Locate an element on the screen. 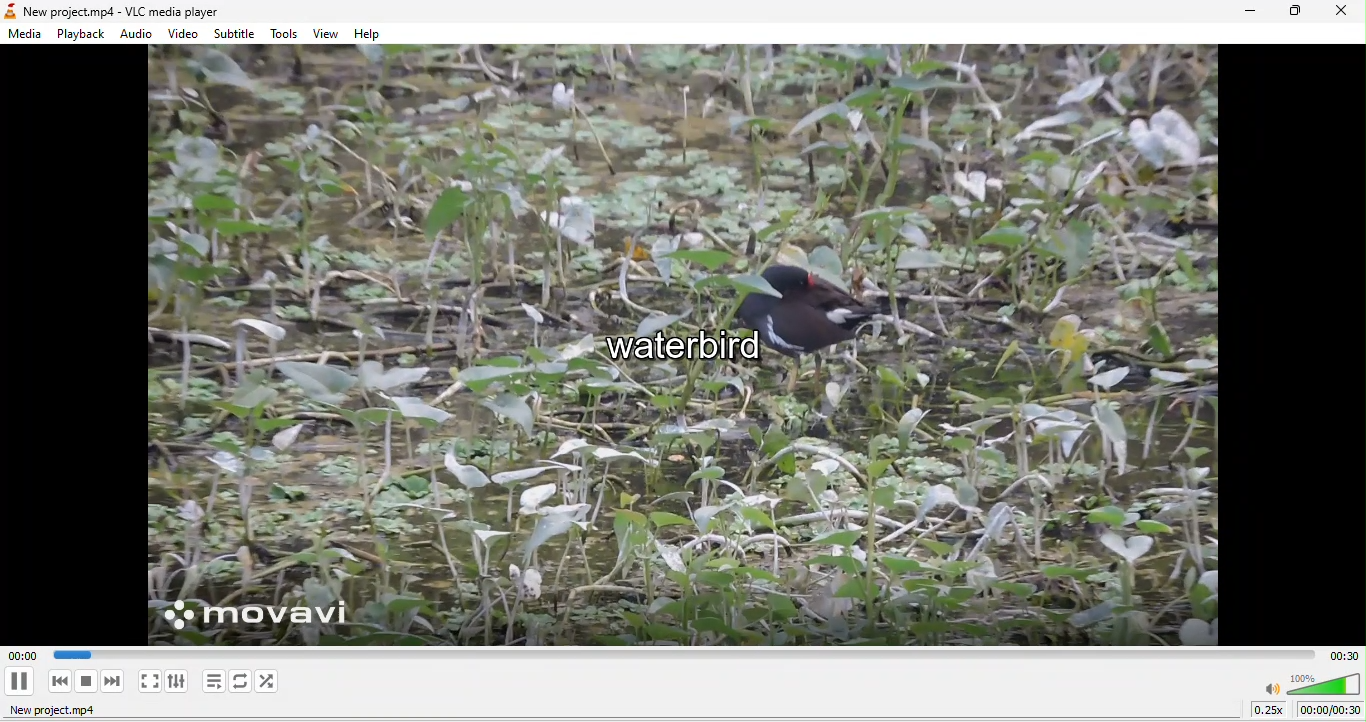  New project.mp4 - VLC media player is located at coordinates (117, 10).